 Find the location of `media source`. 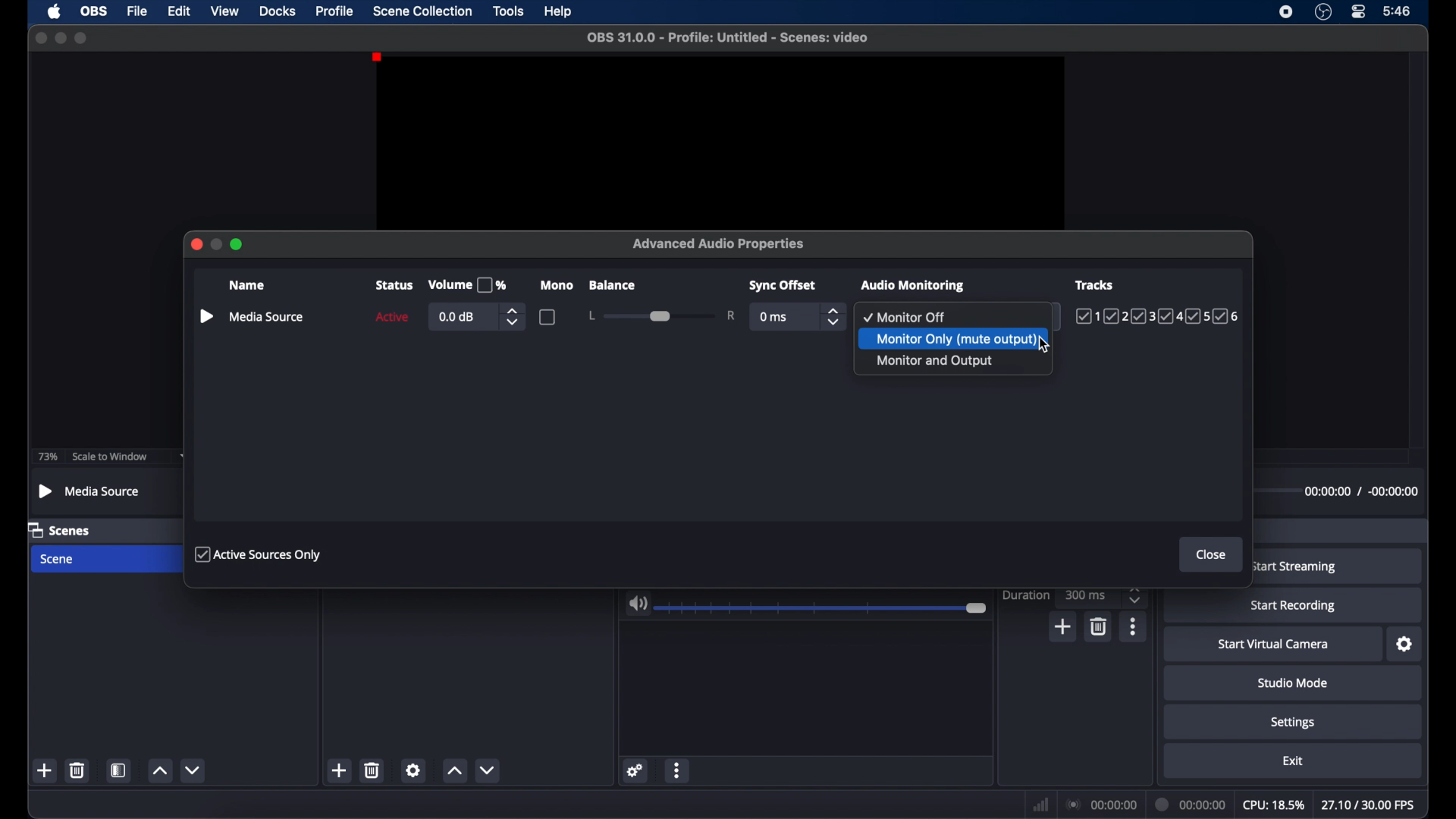

media source is located at coordinates (268, 316).